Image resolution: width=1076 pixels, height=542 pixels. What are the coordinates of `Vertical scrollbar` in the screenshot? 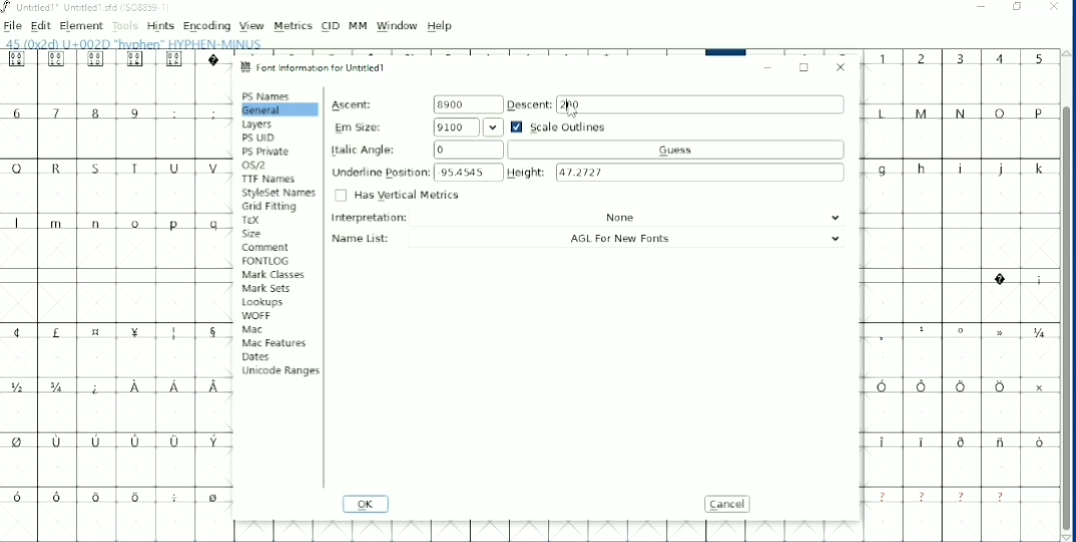 It's located at (1065, 321).